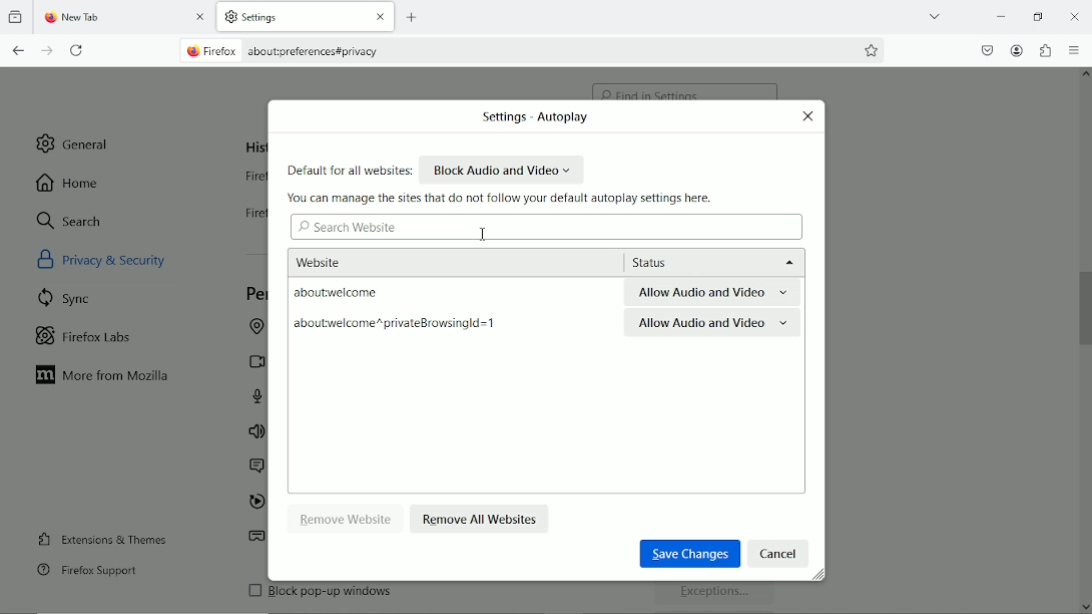 Image resolution: width=1092 pixels, height=614 pixels. What do you see at coordinates (19, 50) in the screenshot?
I see `go back` at bounding box center [19, 50].